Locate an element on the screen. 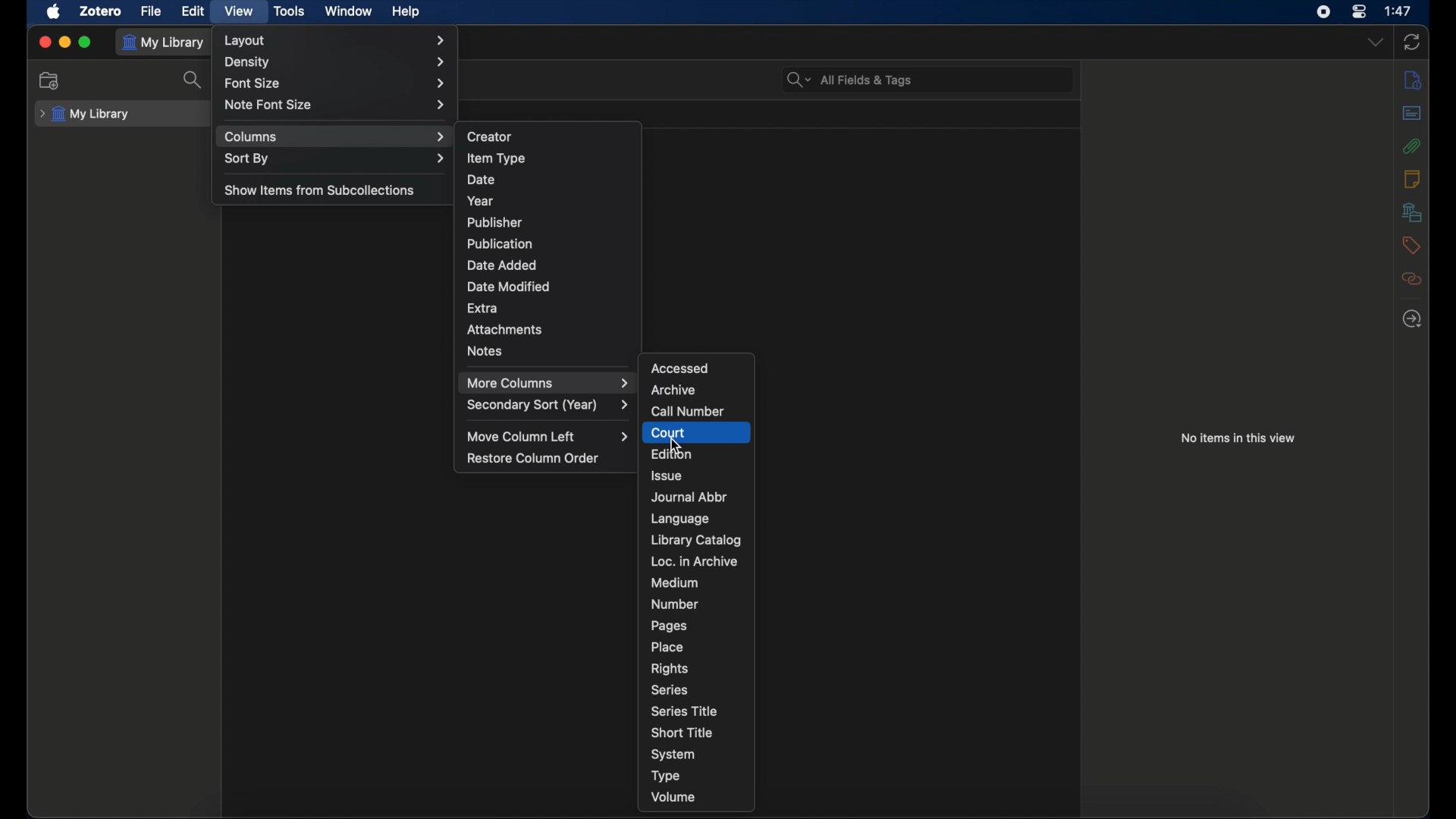 This screenshot has height=819, width=1456. tools is located at coordinates (288, 11).